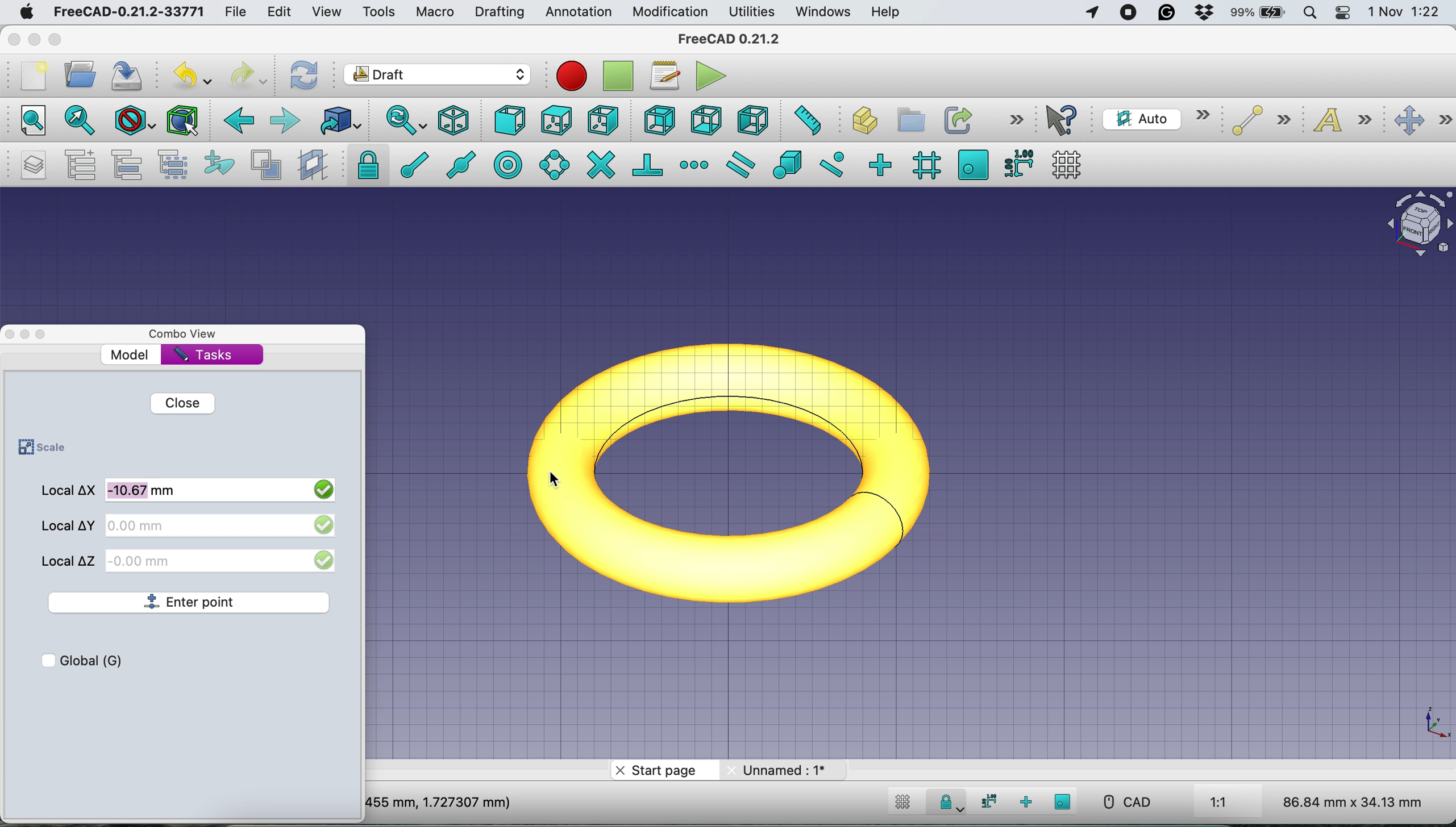 Image resolution: width=1456 pixels, height=827 pixels. What do you see at coordinates (238, 124) in the screenshot?
I see `backward` at bounding box center [238, 124].